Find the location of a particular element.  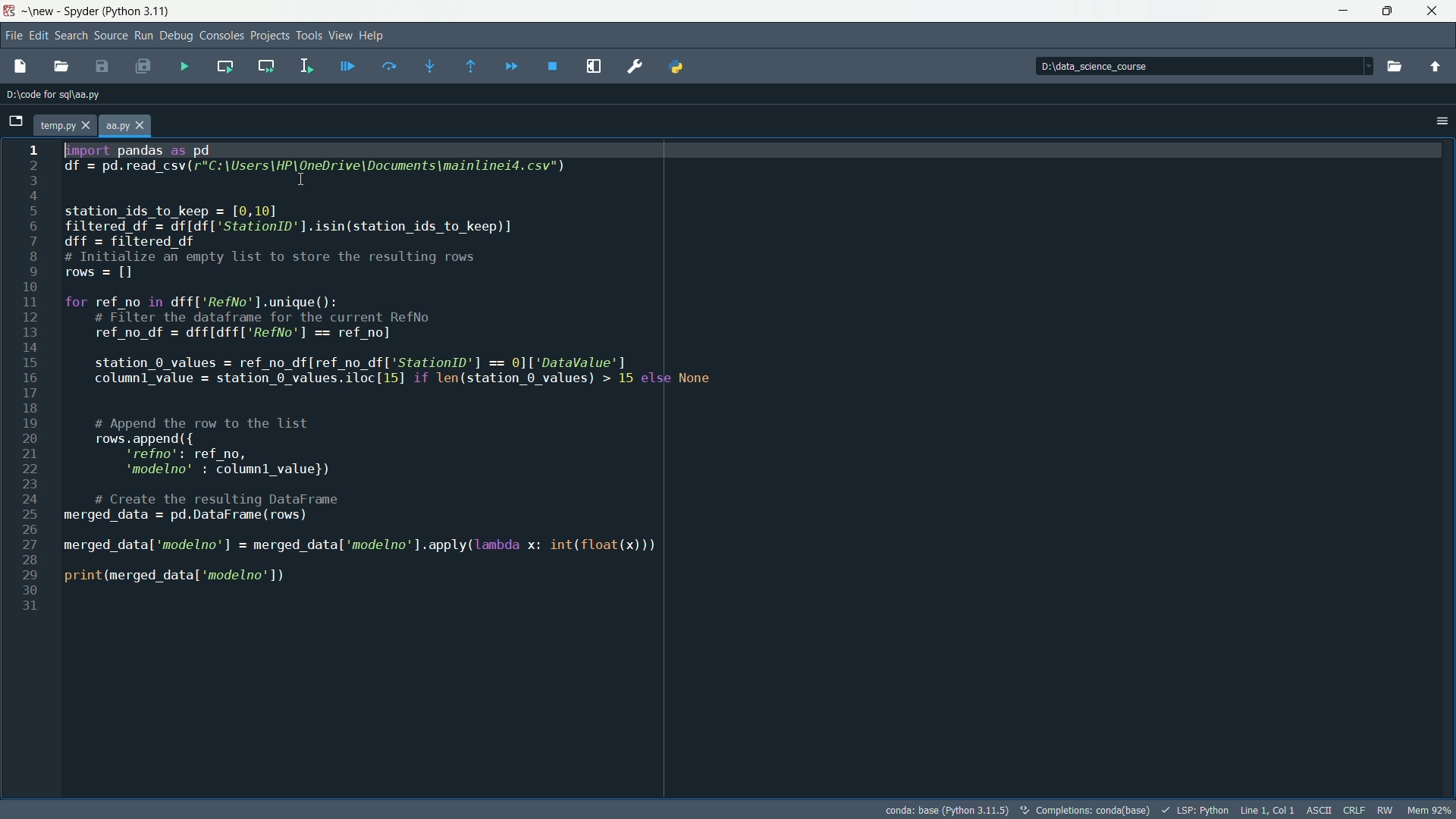

preferences is located at coordinates (633, 66).